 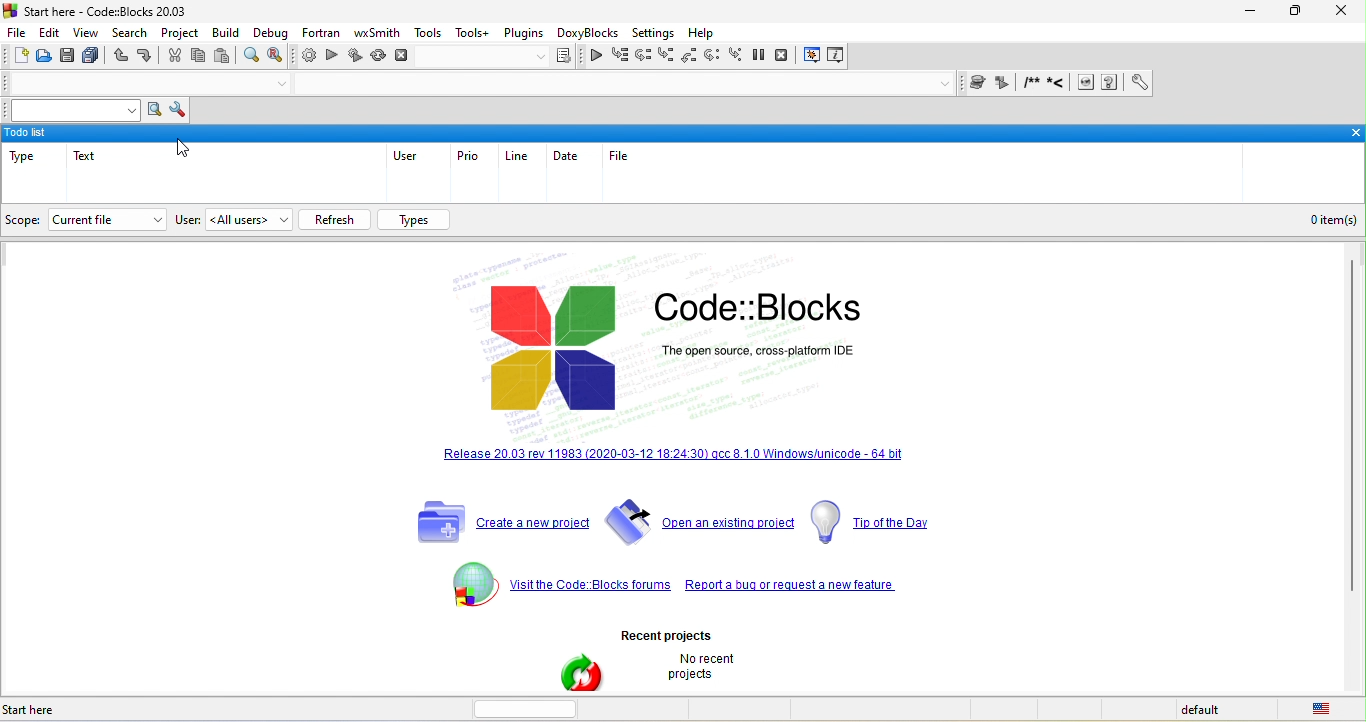 I want to click on tip of the day, so click(x=882, y=526).